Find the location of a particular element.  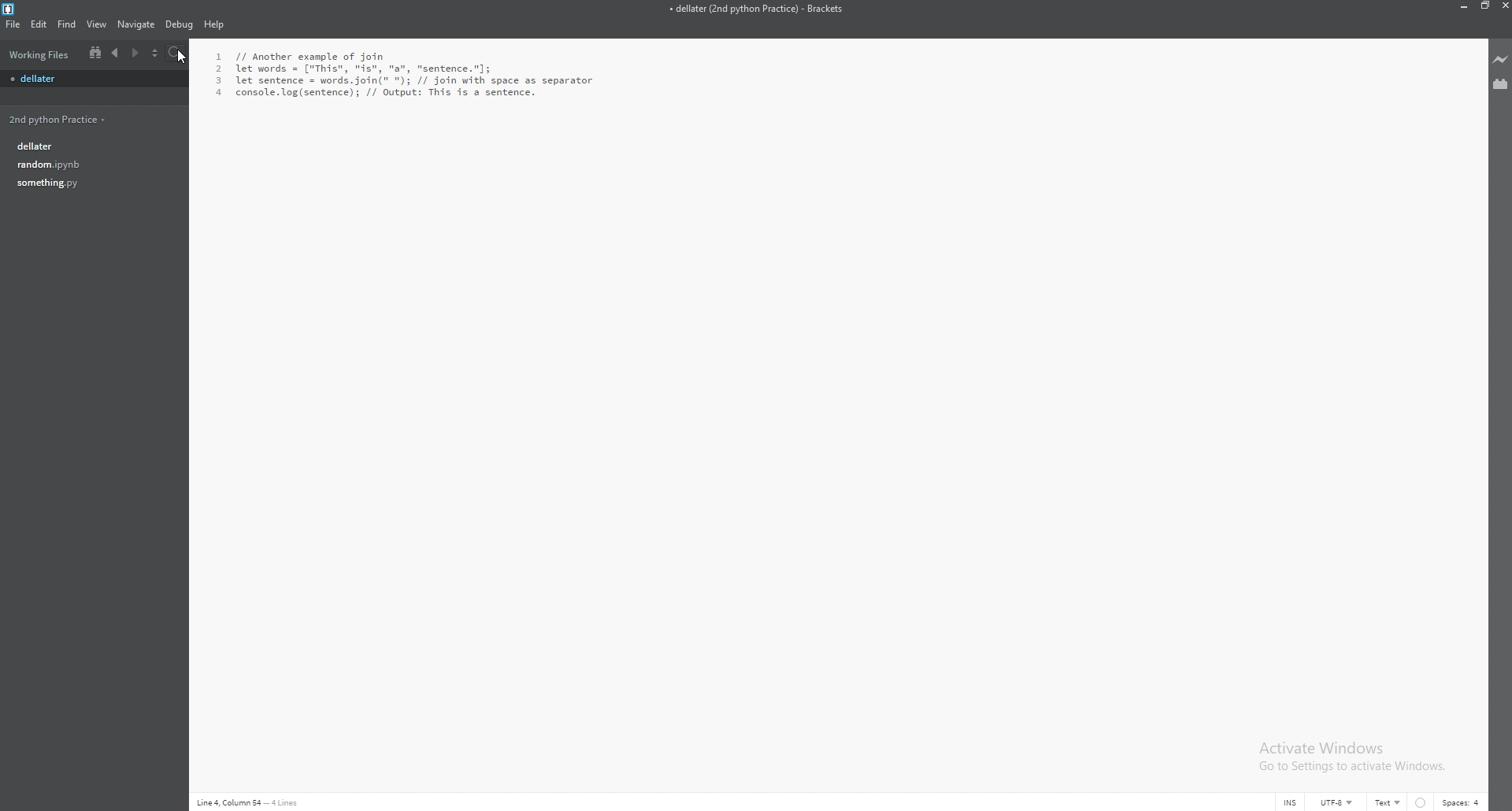

random.py is located at coordinates (90, 166).